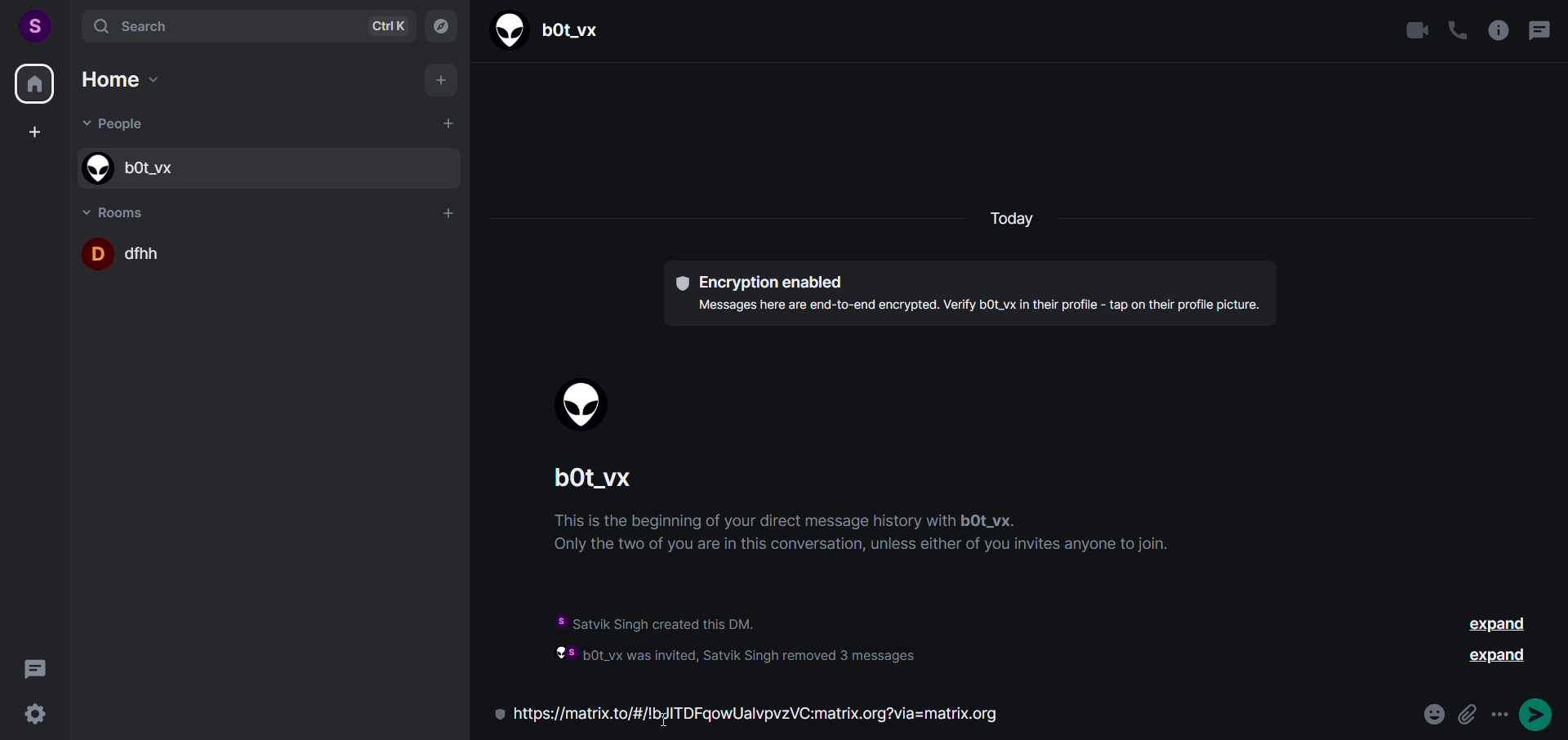 The width and height of the screenshot is (1568, 740). I want to click on search, so click(241, 25).